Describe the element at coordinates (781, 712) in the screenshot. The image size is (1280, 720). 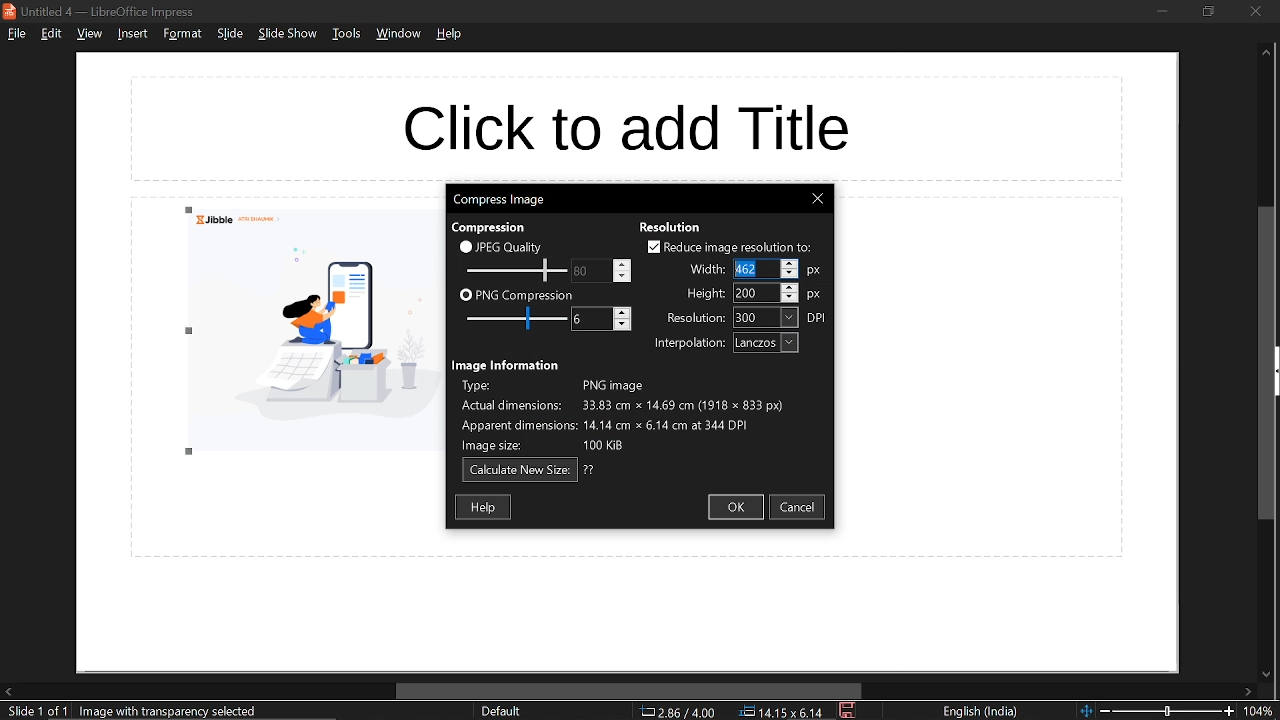
I see `position` at that location.